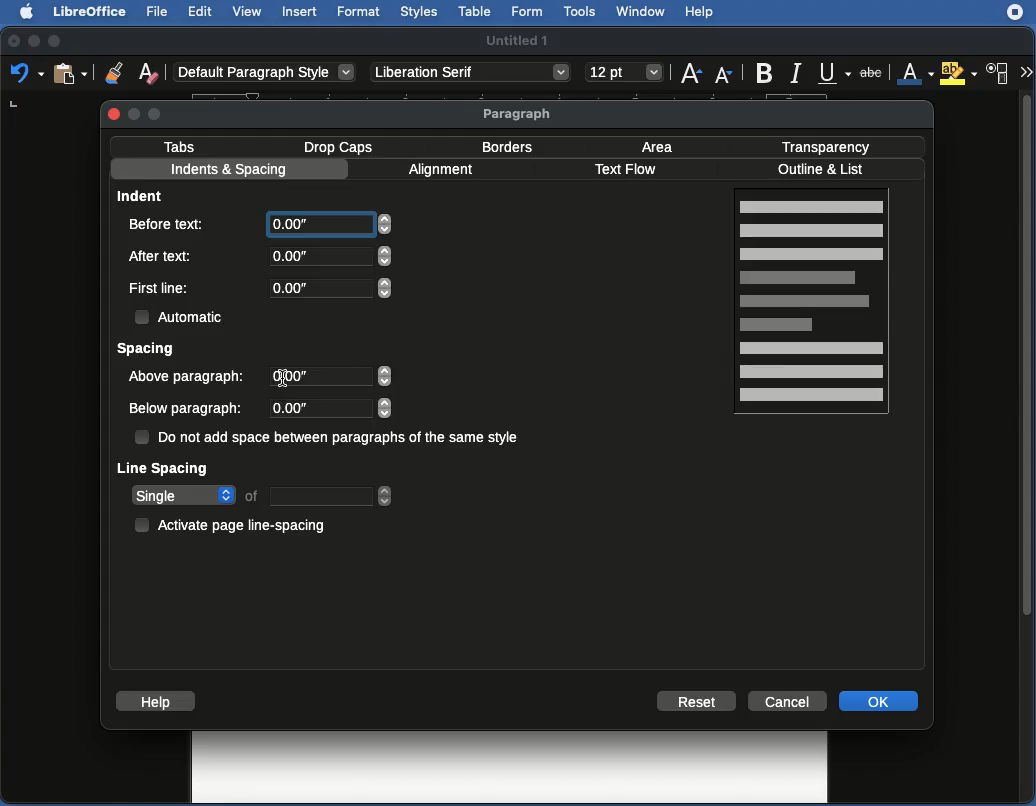 The width and height of the screenshot is (1036, 806). I want to click on Undo, so click(26, 74).